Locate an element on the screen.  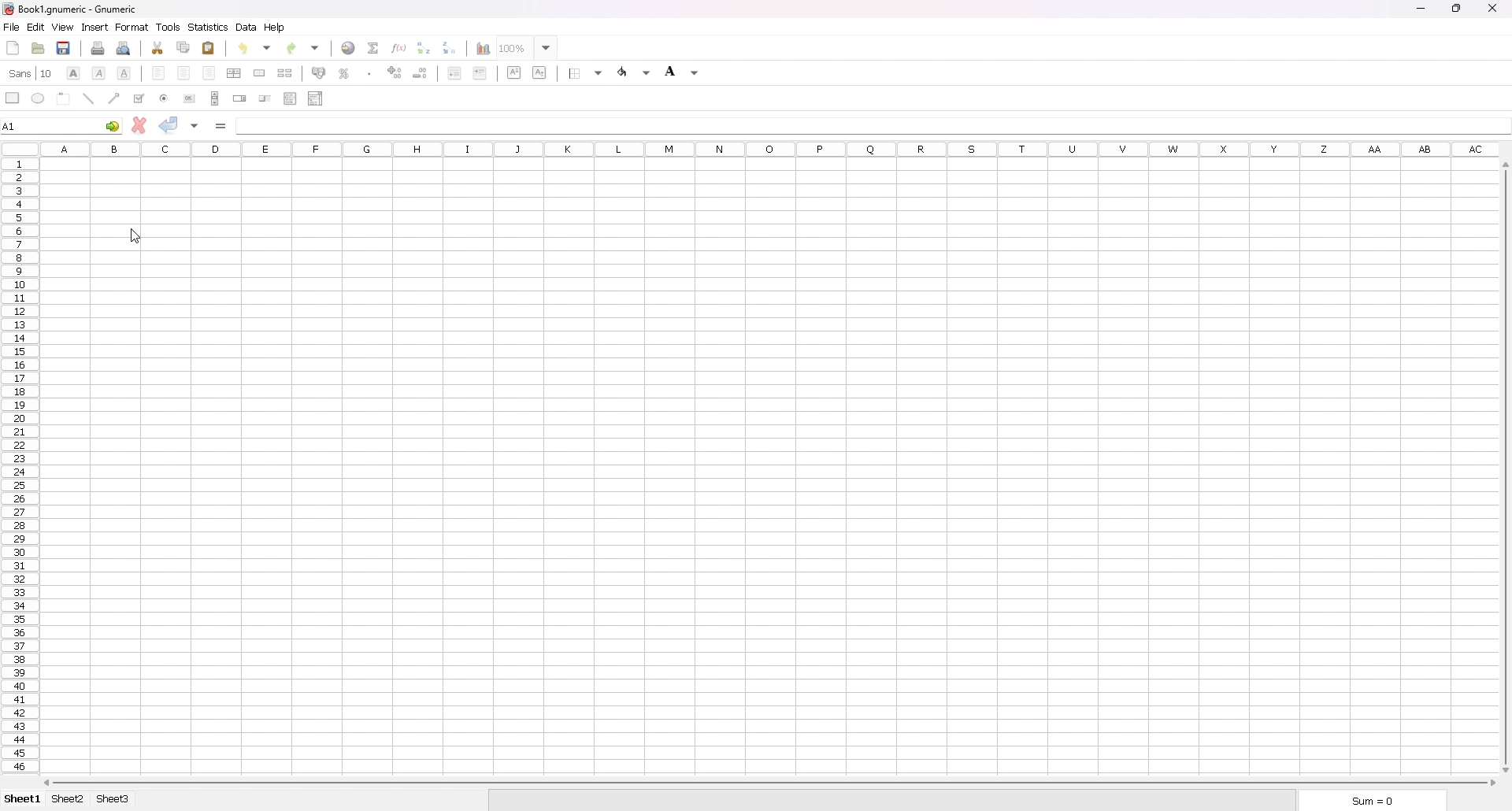
sheet 2 is located at coordinates (69, 799).